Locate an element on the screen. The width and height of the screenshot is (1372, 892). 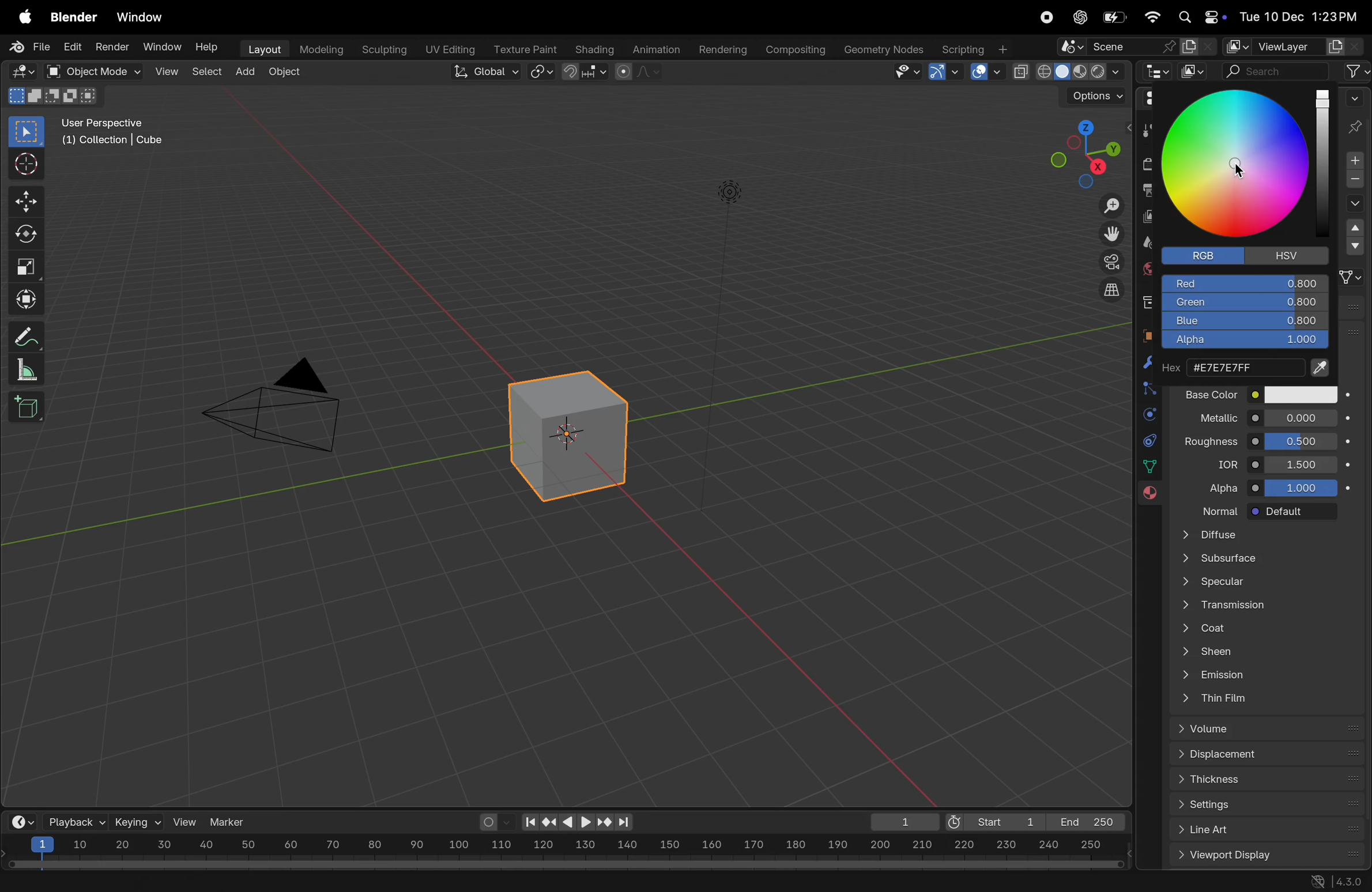
thin film is located at coordinates (1264, 700).